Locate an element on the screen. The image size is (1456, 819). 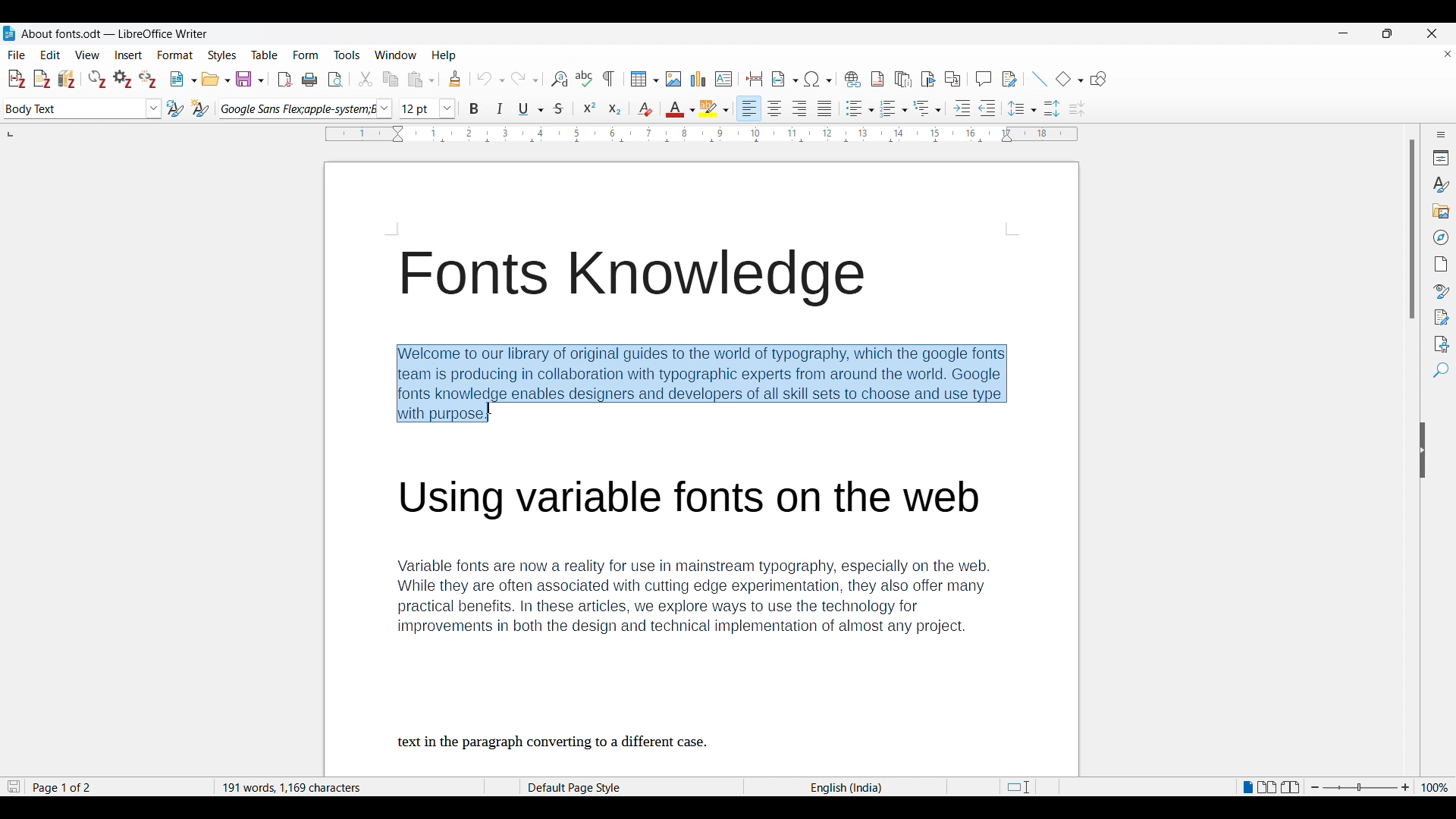
Increase paragraph space is located at coordinates (1053, 108).